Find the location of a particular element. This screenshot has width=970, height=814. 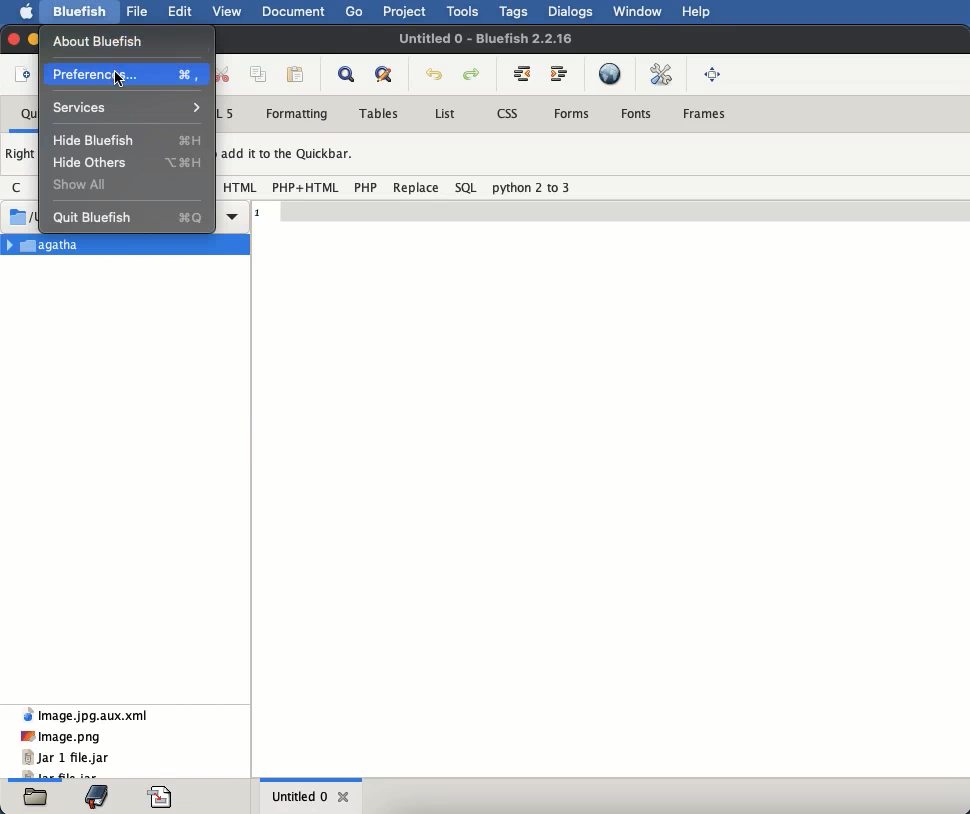

C is located at coordinates (19, 186).